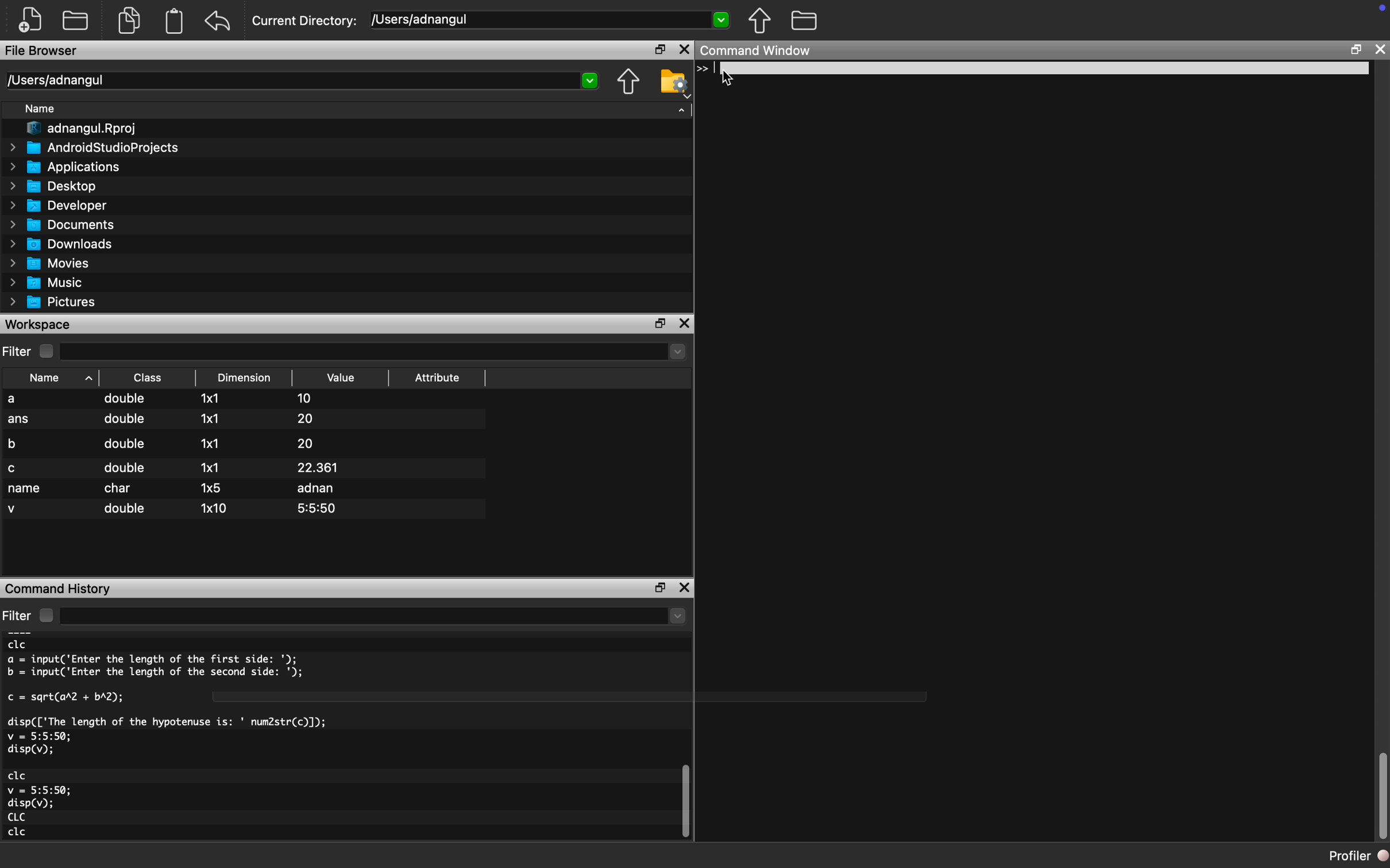 The image size is (1390, 868). I want to click on Command Window, so click(763, 51).